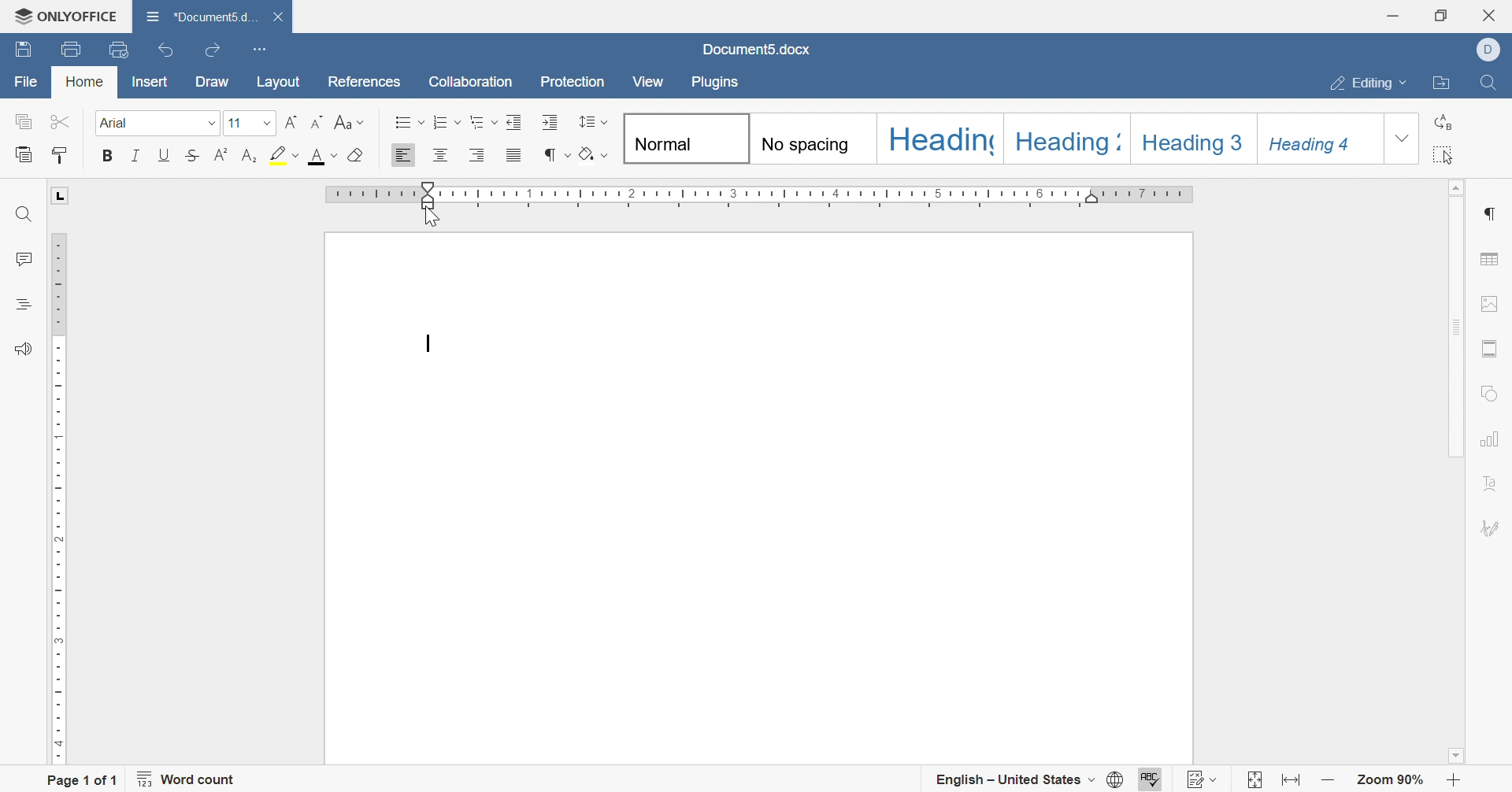 This screenshot has height=792, width=1512. Describe the element at coordinates (365, 81) in the screenshot. I see `references` at that location.